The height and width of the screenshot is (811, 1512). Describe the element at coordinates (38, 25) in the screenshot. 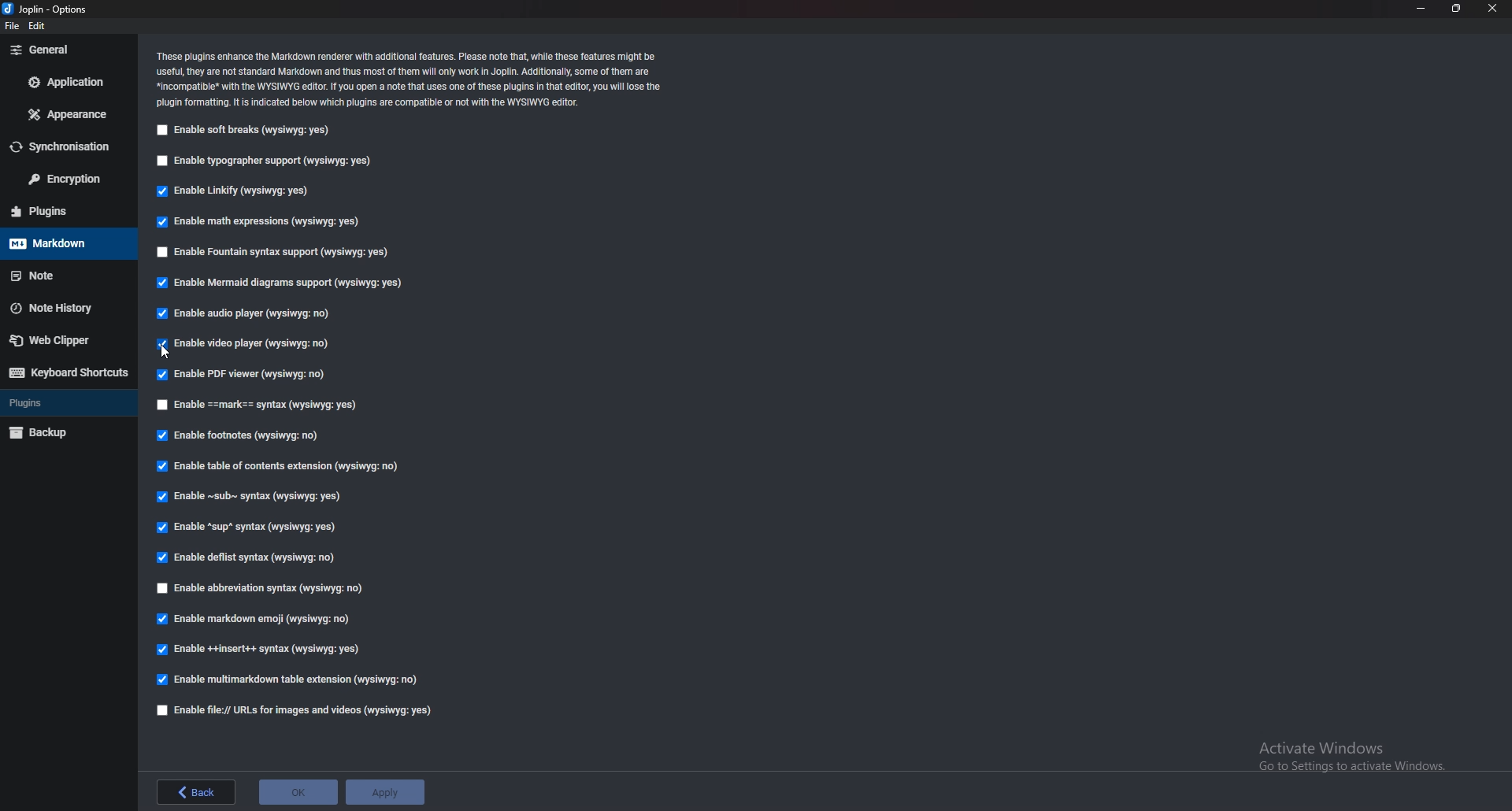

I see `edit` at that location.